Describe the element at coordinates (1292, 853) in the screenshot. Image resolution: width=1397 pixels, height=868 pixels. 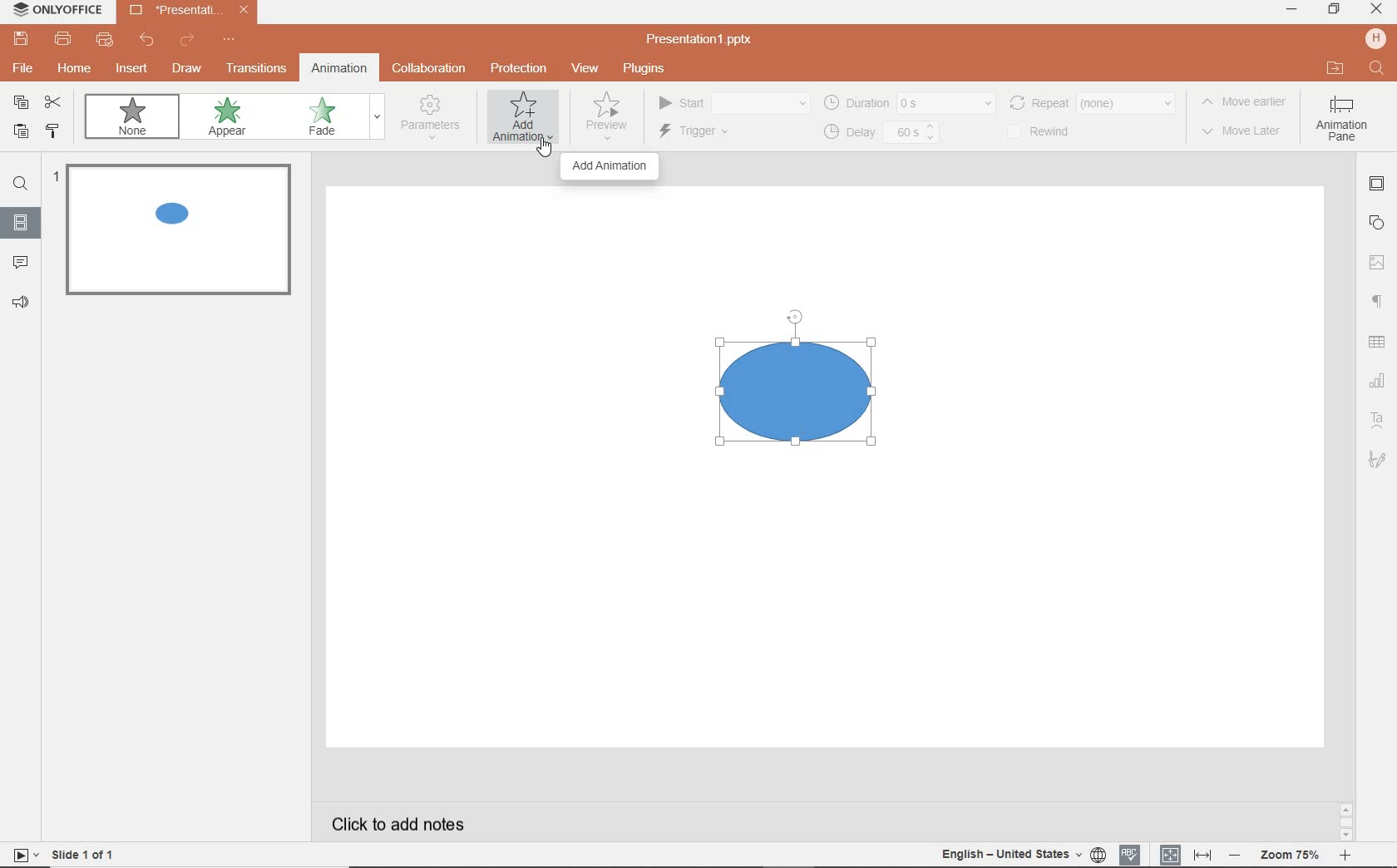
I see `zoom` at that location.